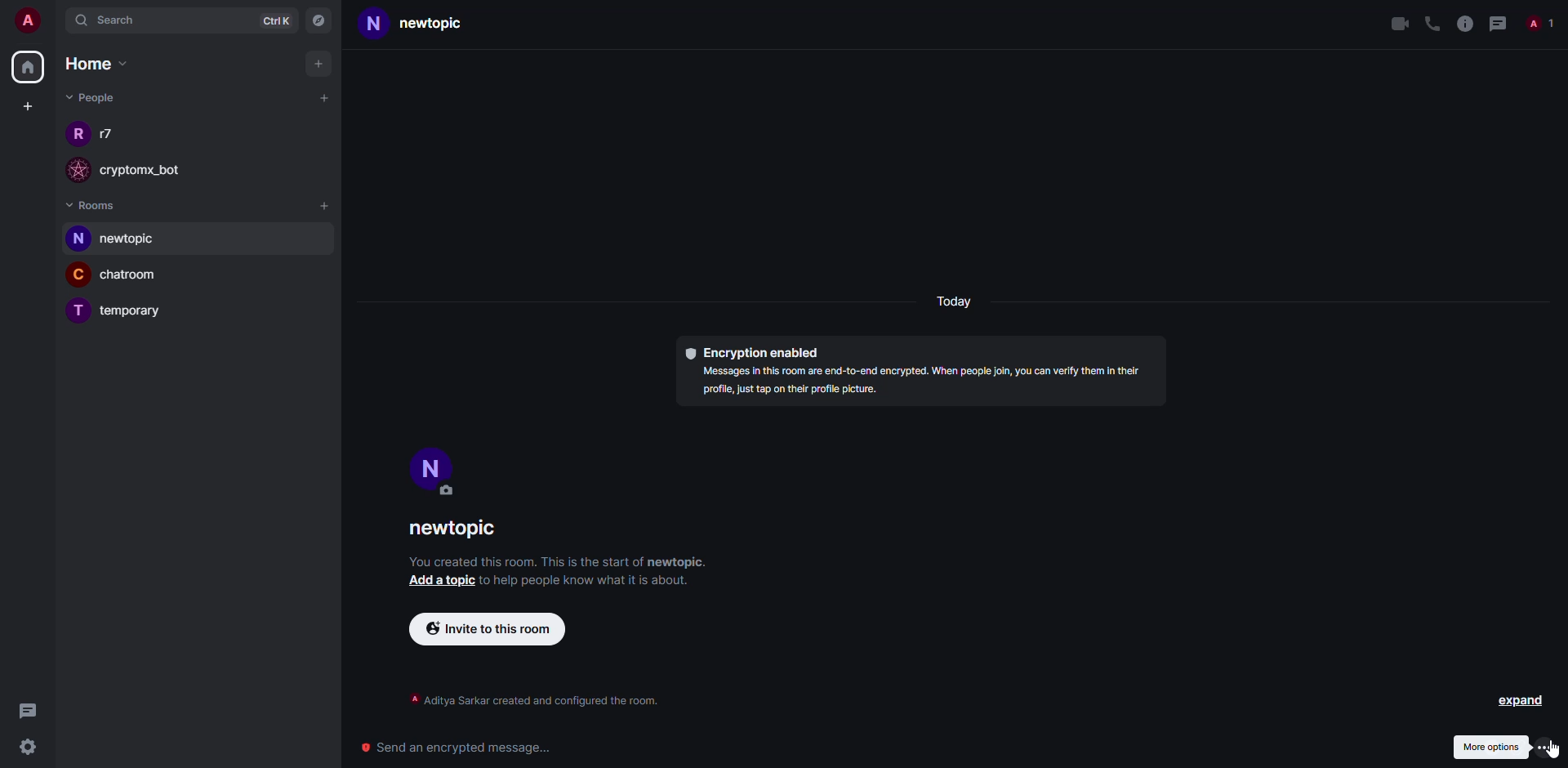  What do you see at coordinates (559, 561) in the screenshot?
I see `info` at bounding box center [559, 561].